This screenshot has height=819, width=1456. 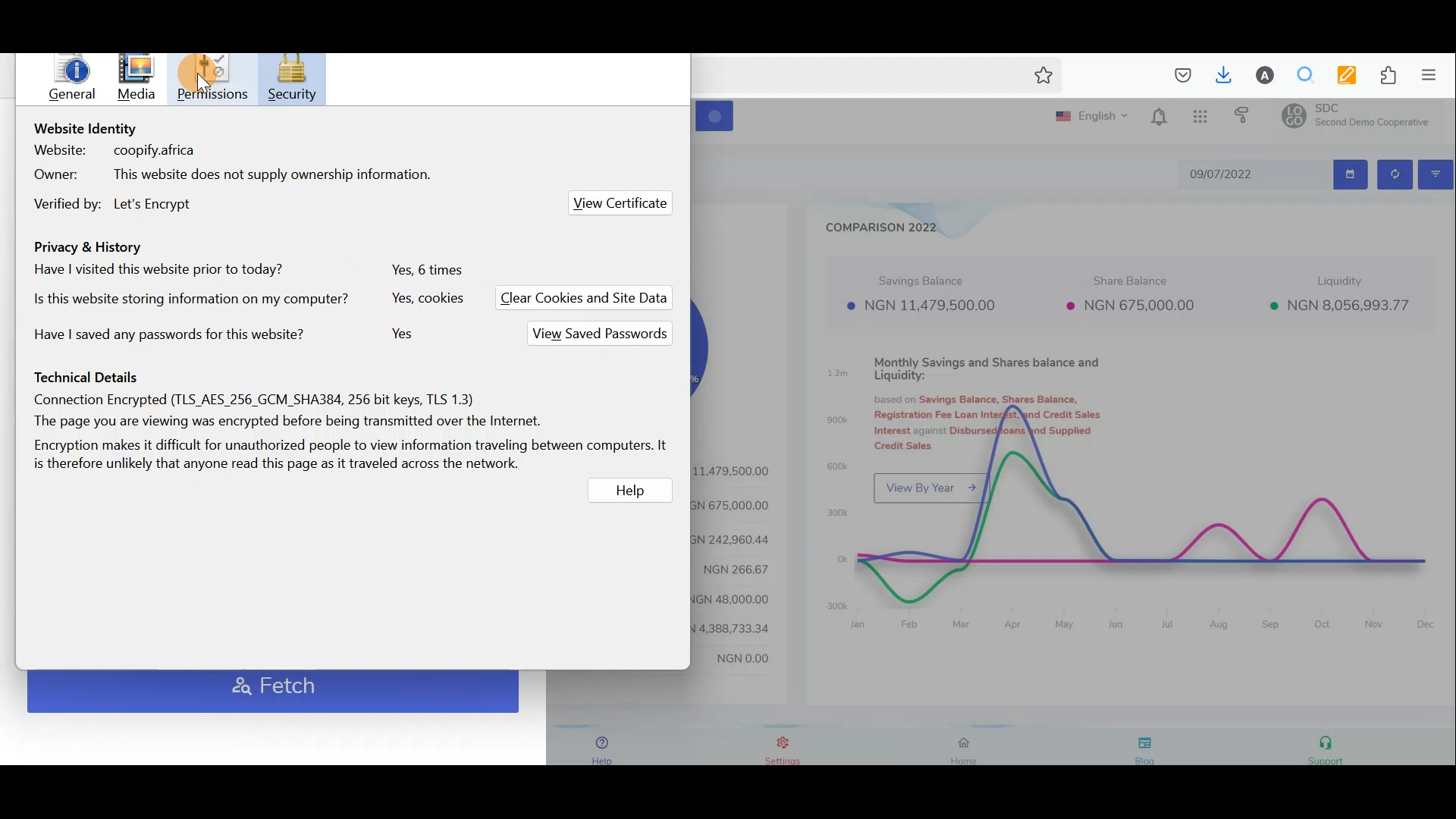 I want to click on Multiple search & highlight, so click(x=1300, y=76).